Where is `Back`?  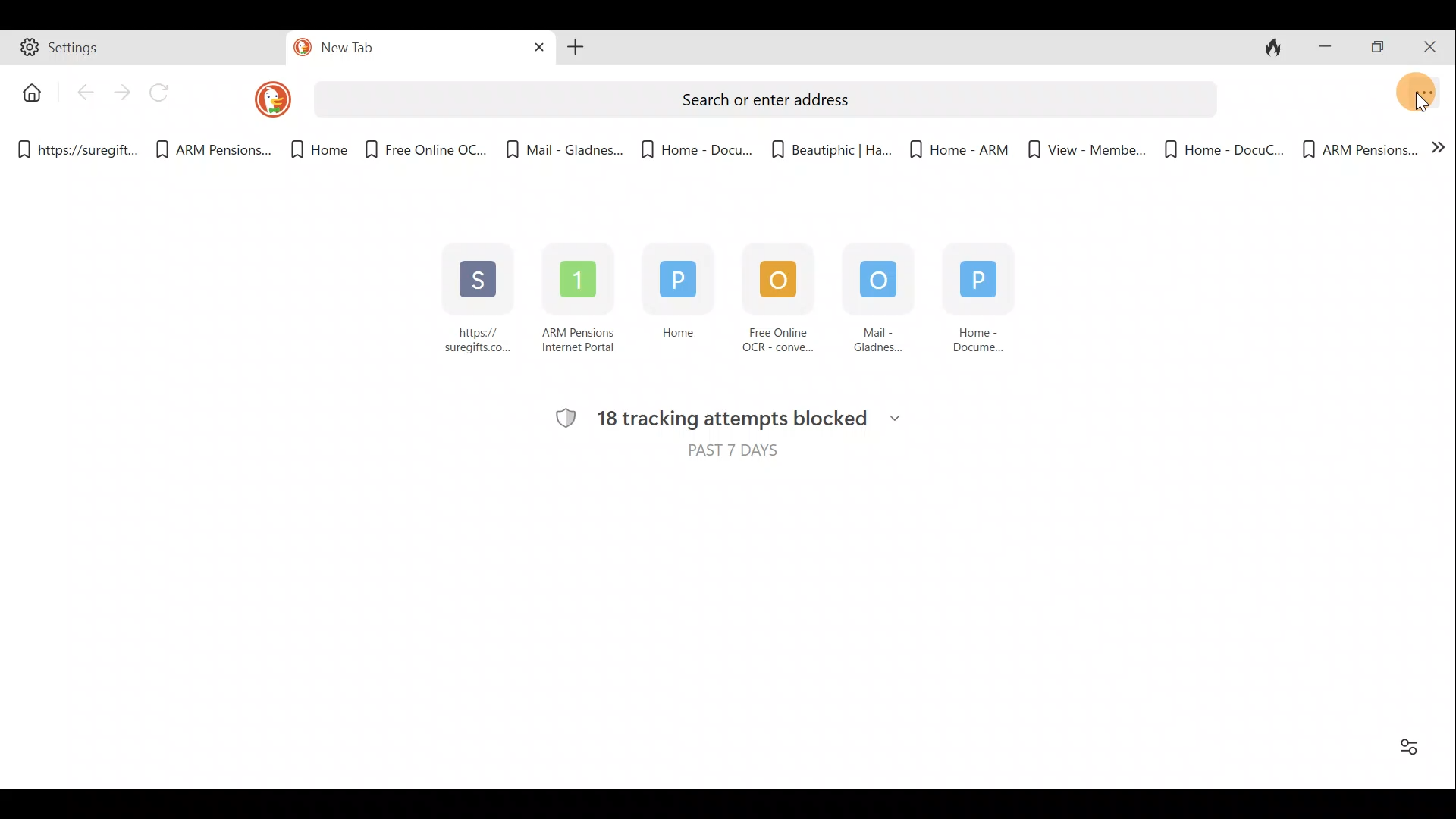 Back is located at coordinates (84, 96).